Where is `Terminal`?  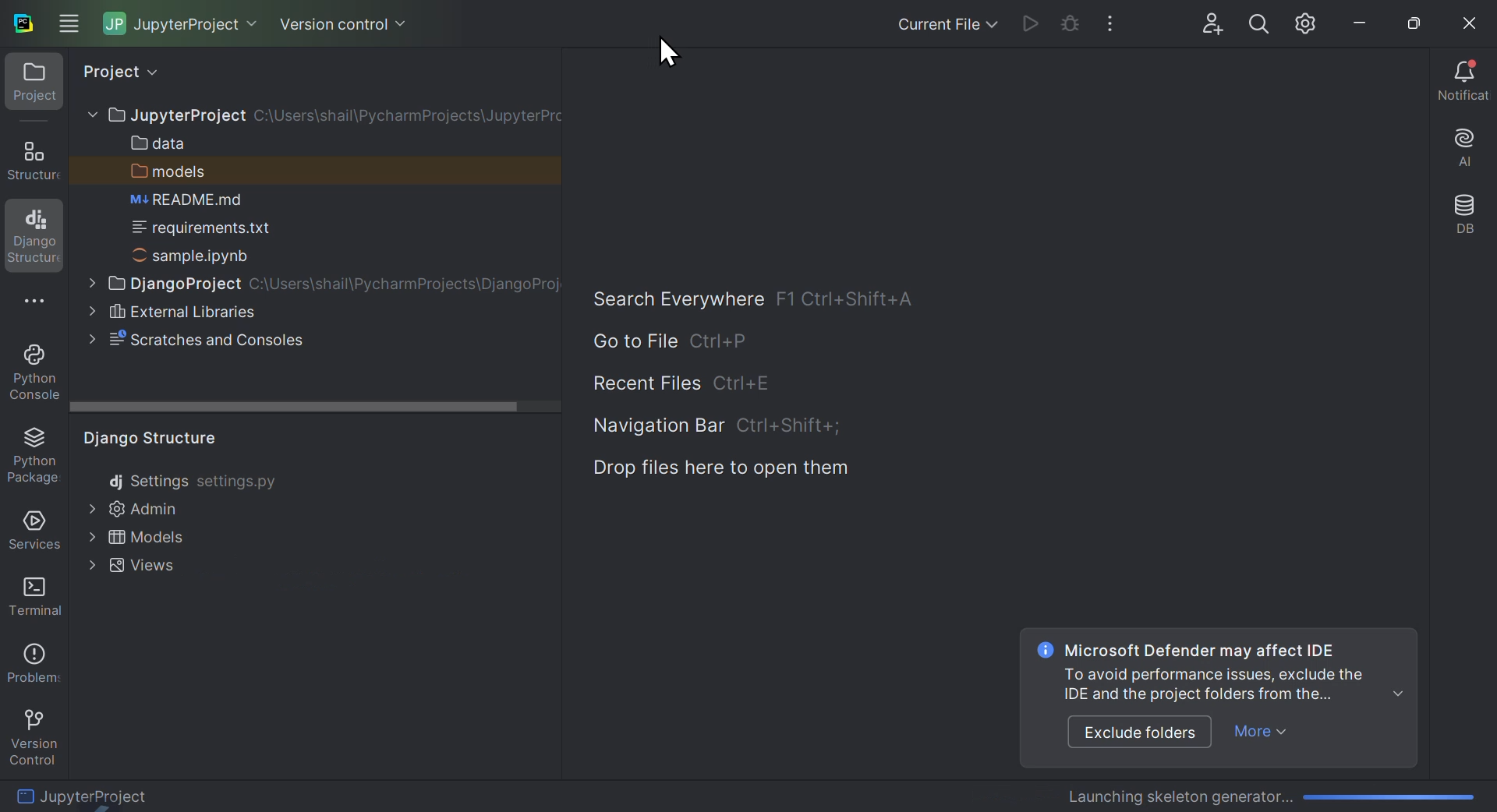 Terminal is located at coordinates (31, 594).